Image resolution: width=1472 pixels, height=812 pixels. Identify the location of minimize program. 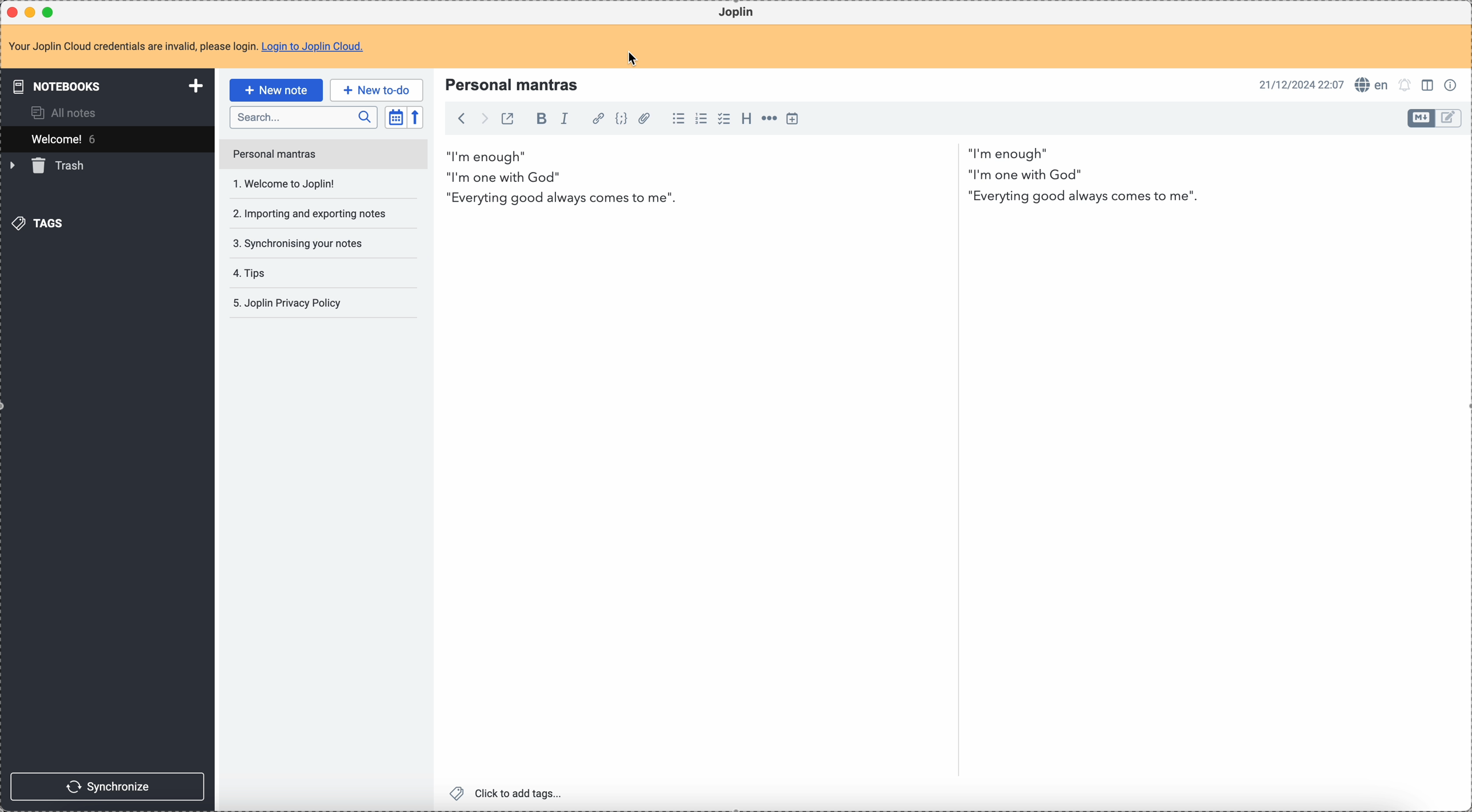
(32, 13).